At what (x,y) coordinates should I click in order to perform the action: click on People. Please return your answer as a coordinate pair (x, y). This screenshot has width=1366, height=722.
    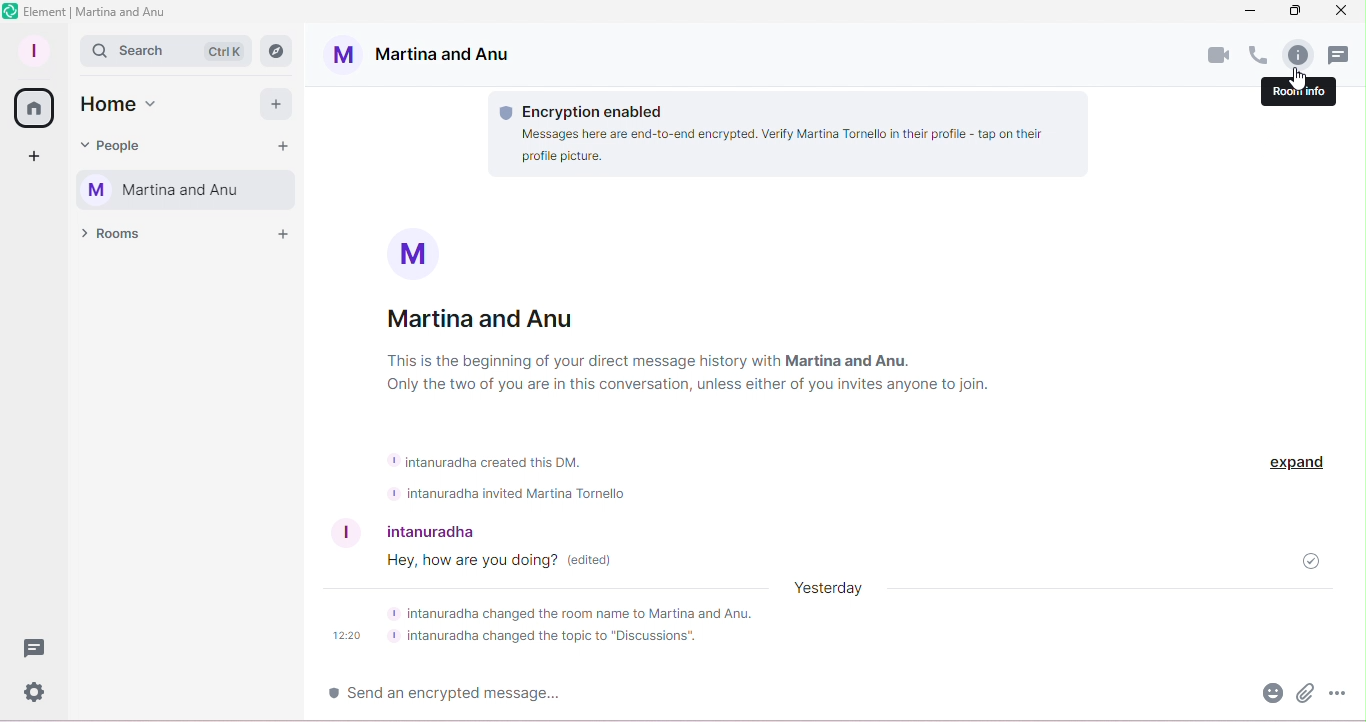
    Looking at the image, I should click on (116, 147).